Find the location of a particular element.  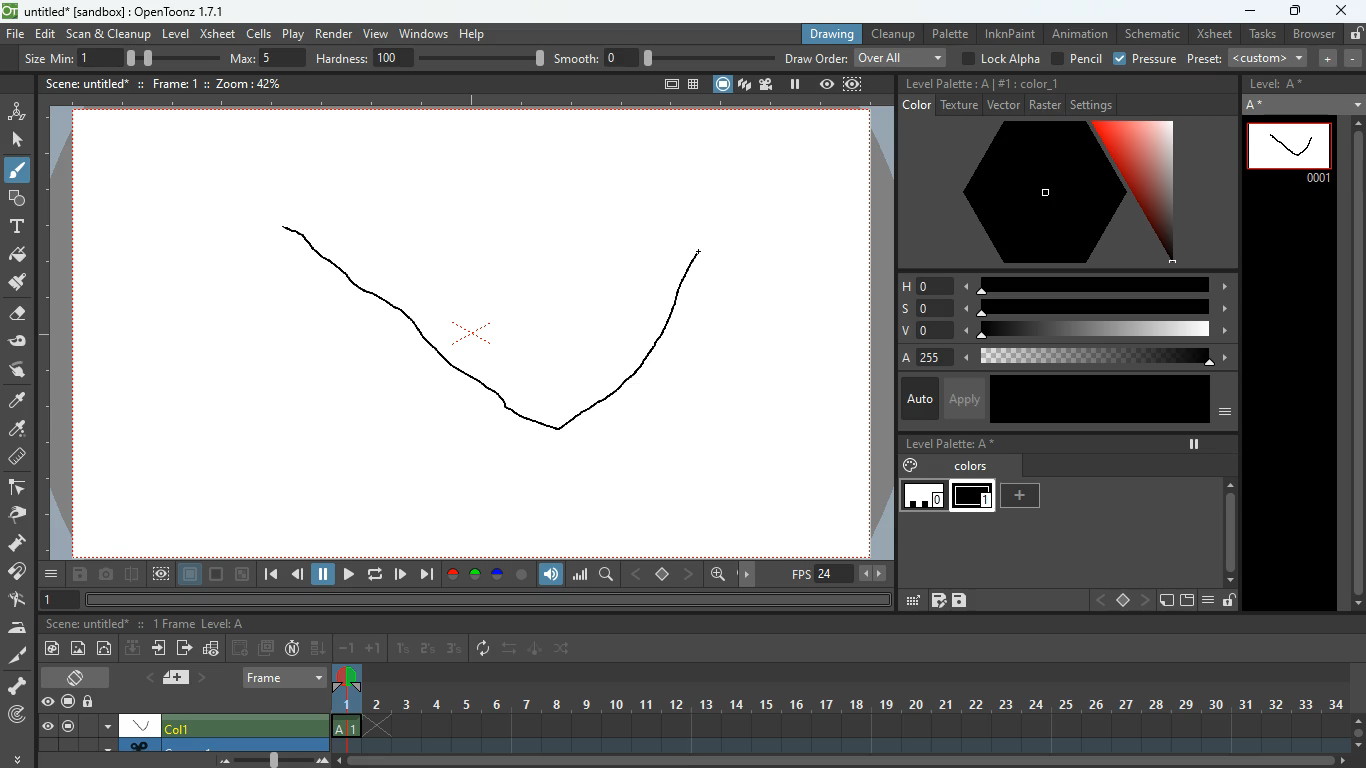

page is located at coordinates (191, 575).